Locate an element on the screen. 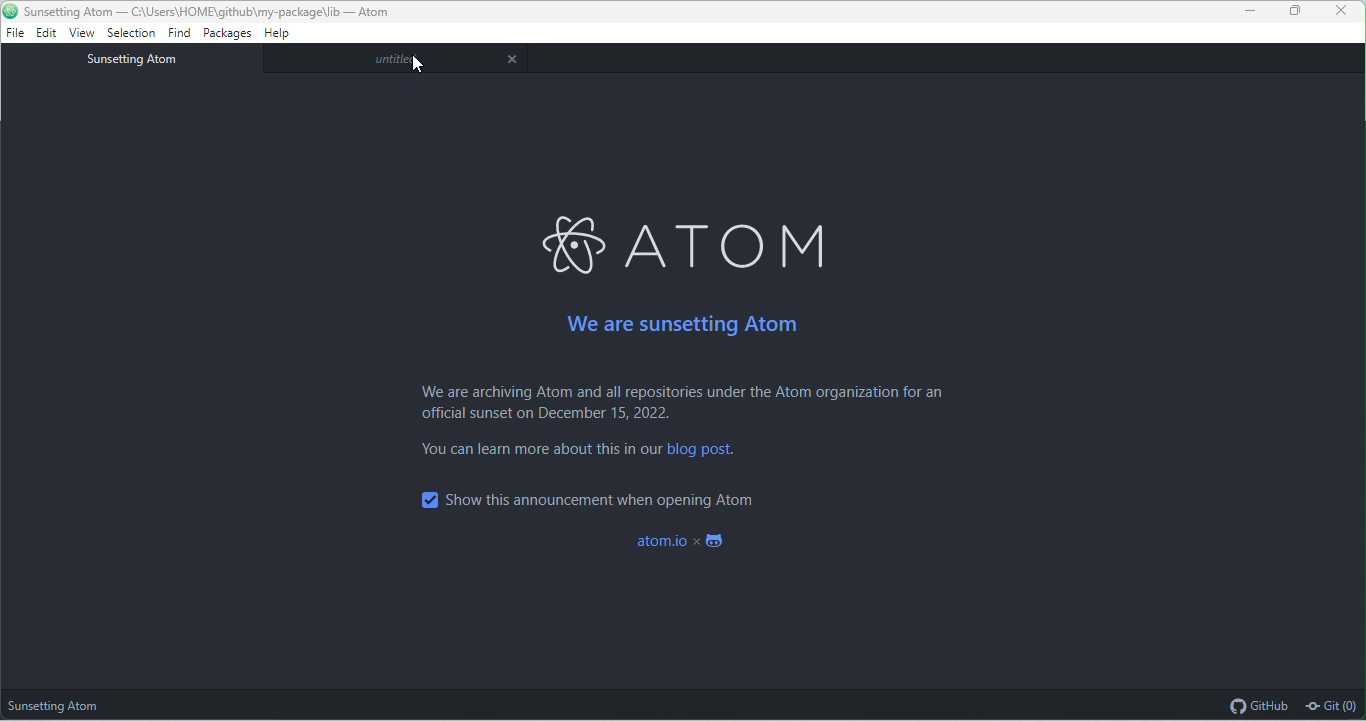 The width and height of the screenshot is (1366, 722). cursor is located at coordinates (429, 65).